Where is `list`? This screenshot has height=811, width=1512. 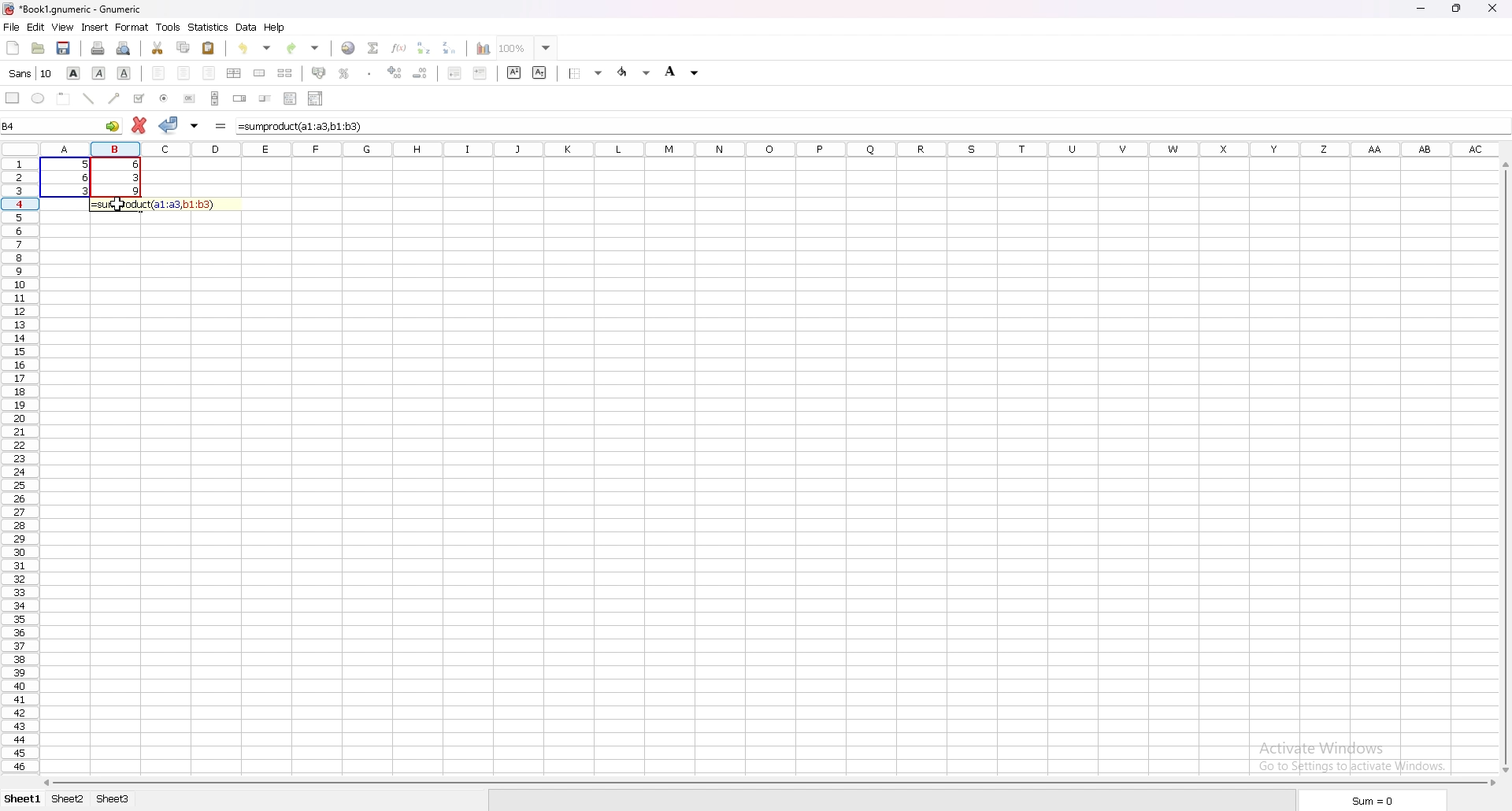 list is located at coordinates (290, 98).